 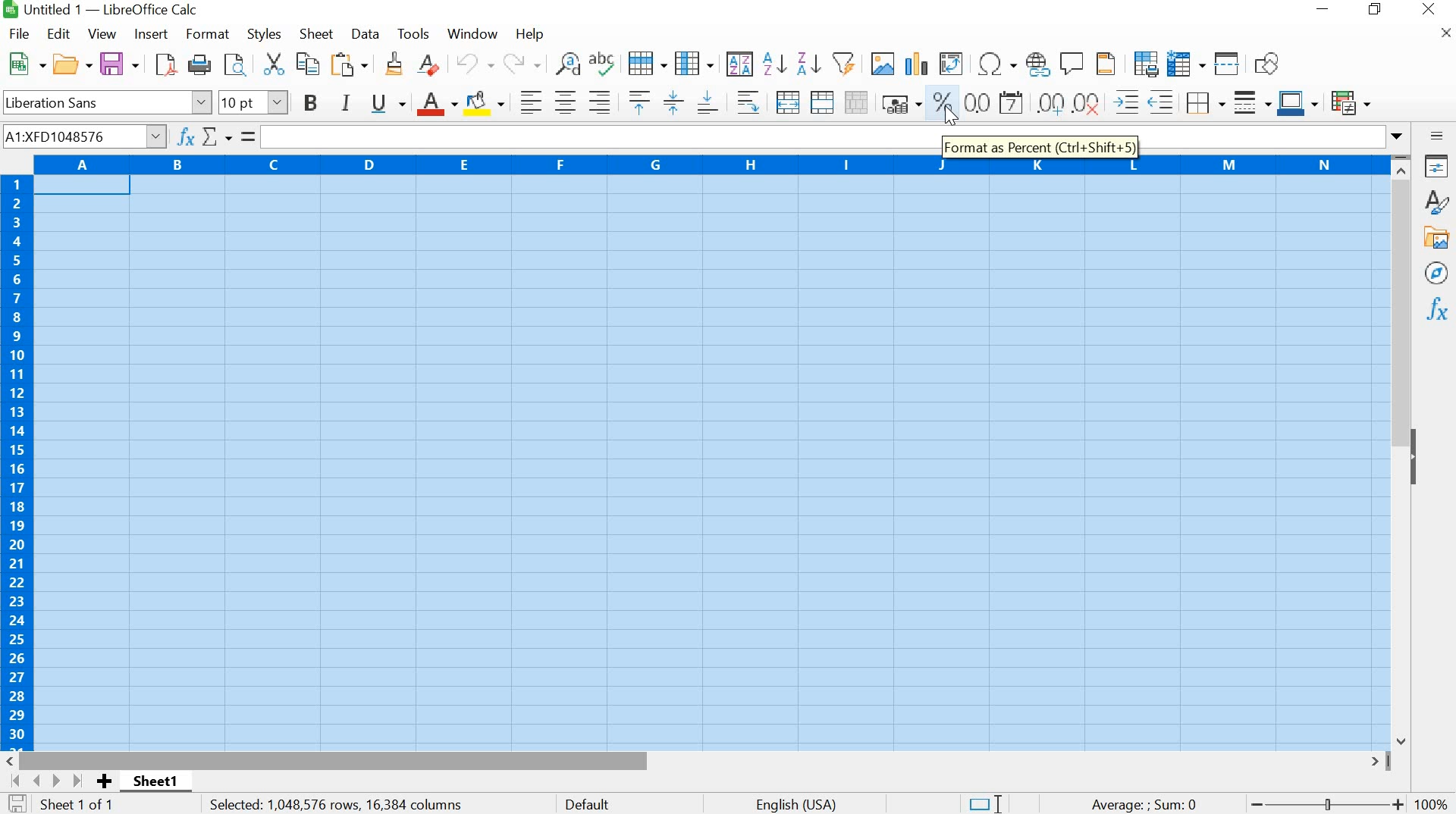 I want to click on COLUMNS, so click(x=706, y=166).